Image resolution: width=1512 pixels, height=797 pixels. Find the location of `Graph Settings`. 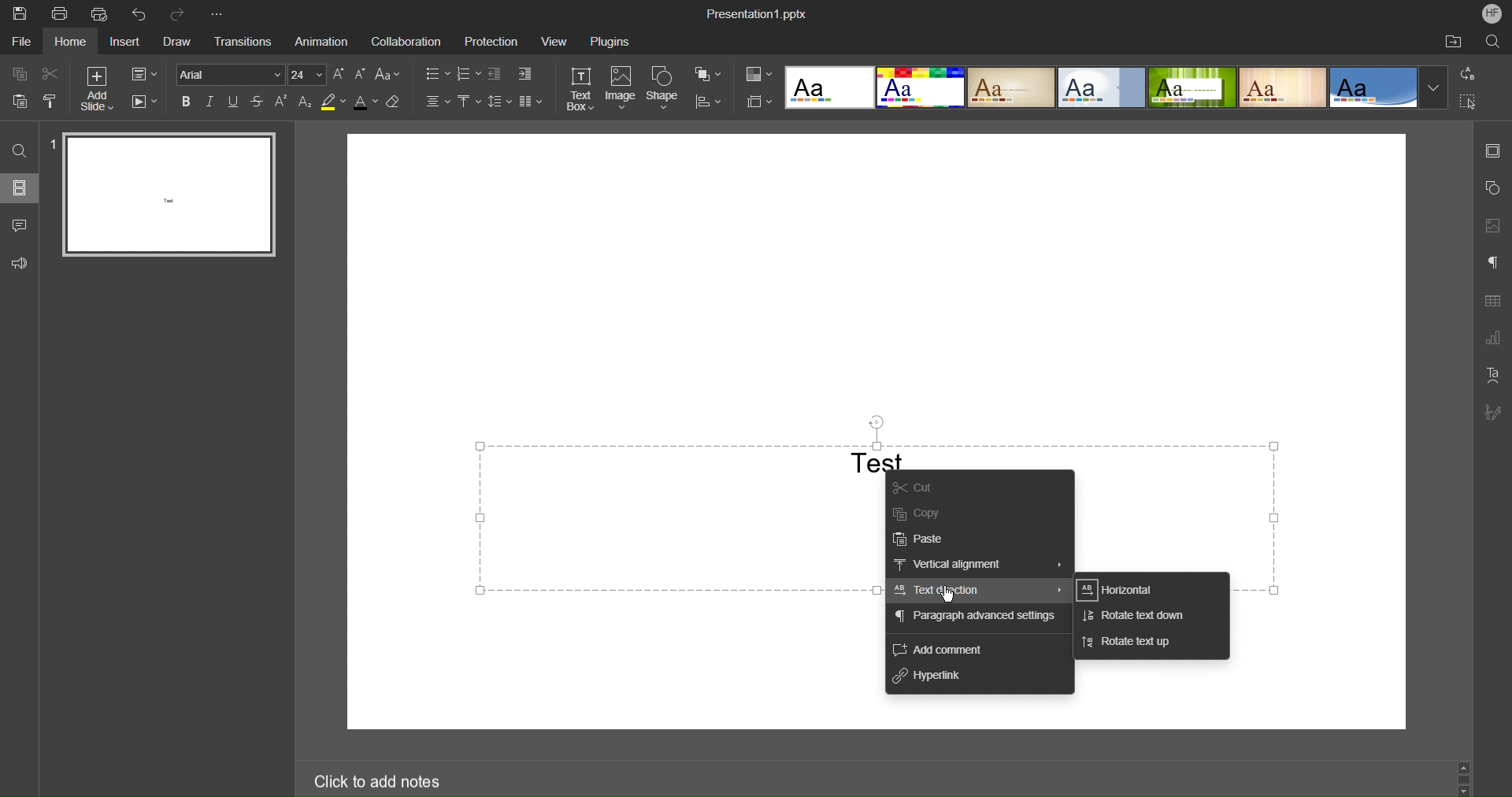

Graph Settings is located at coordinates (1493, 339).